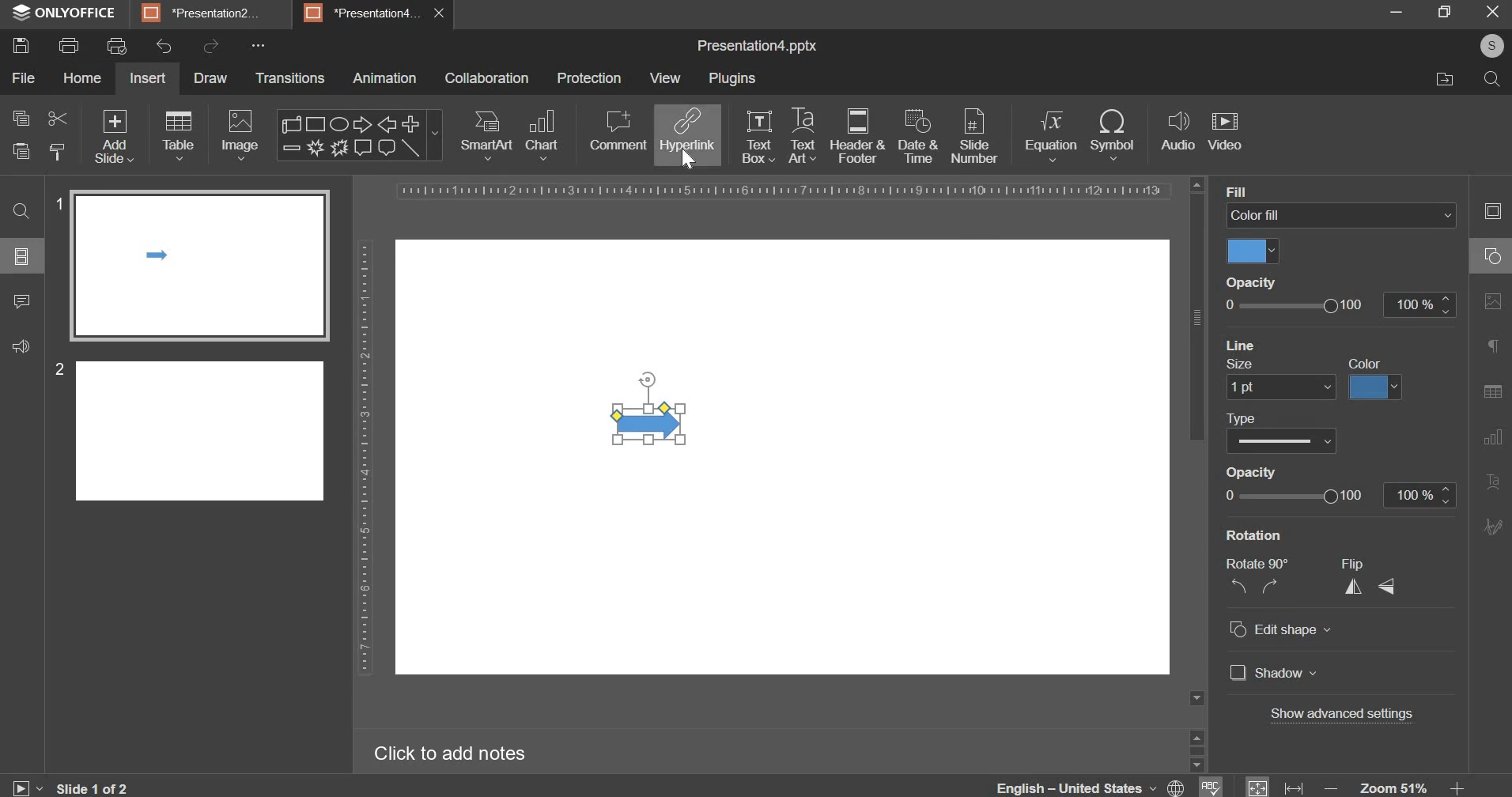 This screenshot has height=797, width=1512. I want to click on vertical scale, so click(360, 459).